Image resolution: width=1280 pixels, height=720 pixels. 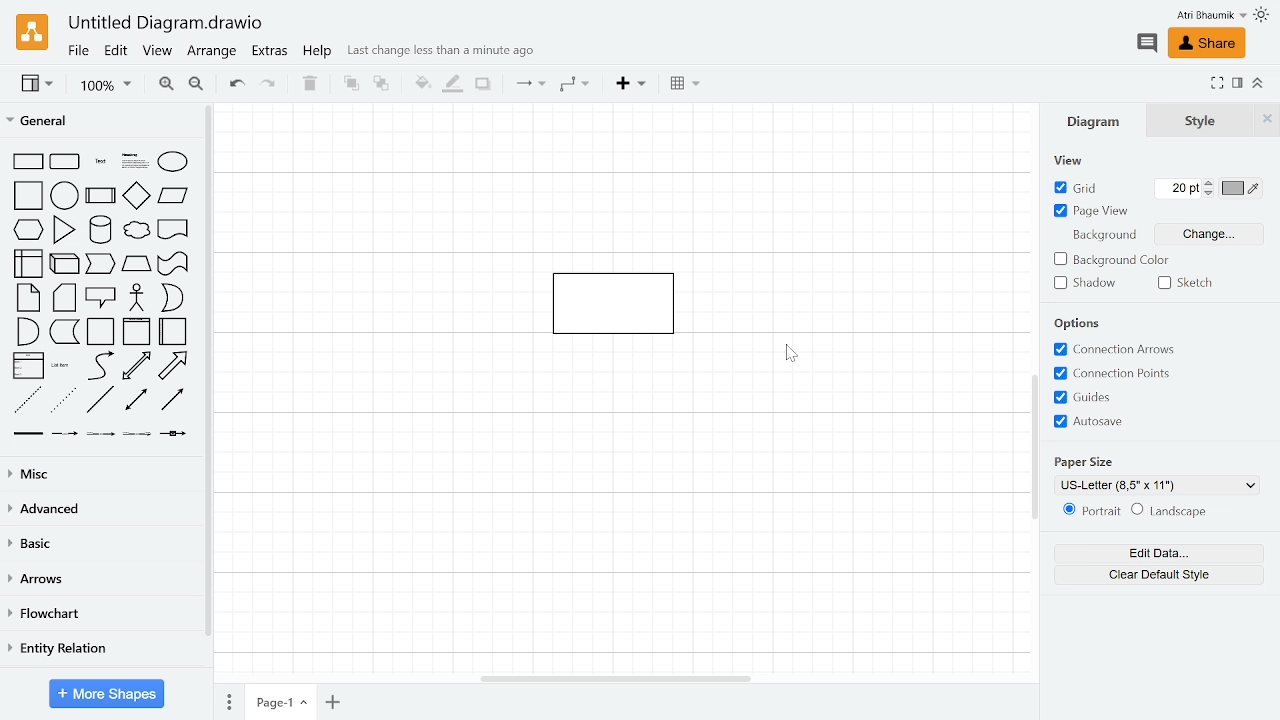 I want to click on Grid color, so click(x=1240, y=188).